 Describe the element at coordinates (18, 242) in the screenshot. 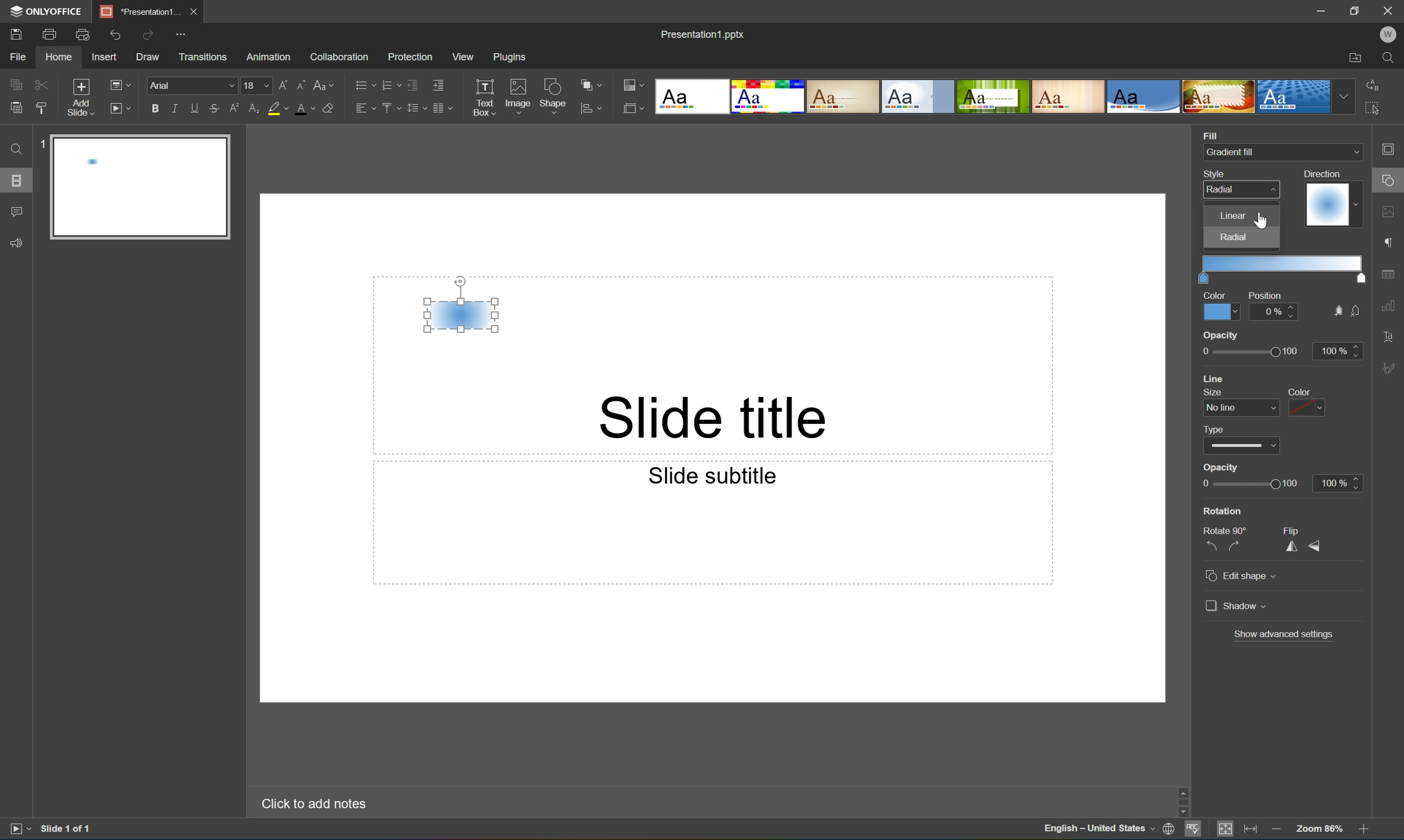

I see `Feedback & Support` at that location.